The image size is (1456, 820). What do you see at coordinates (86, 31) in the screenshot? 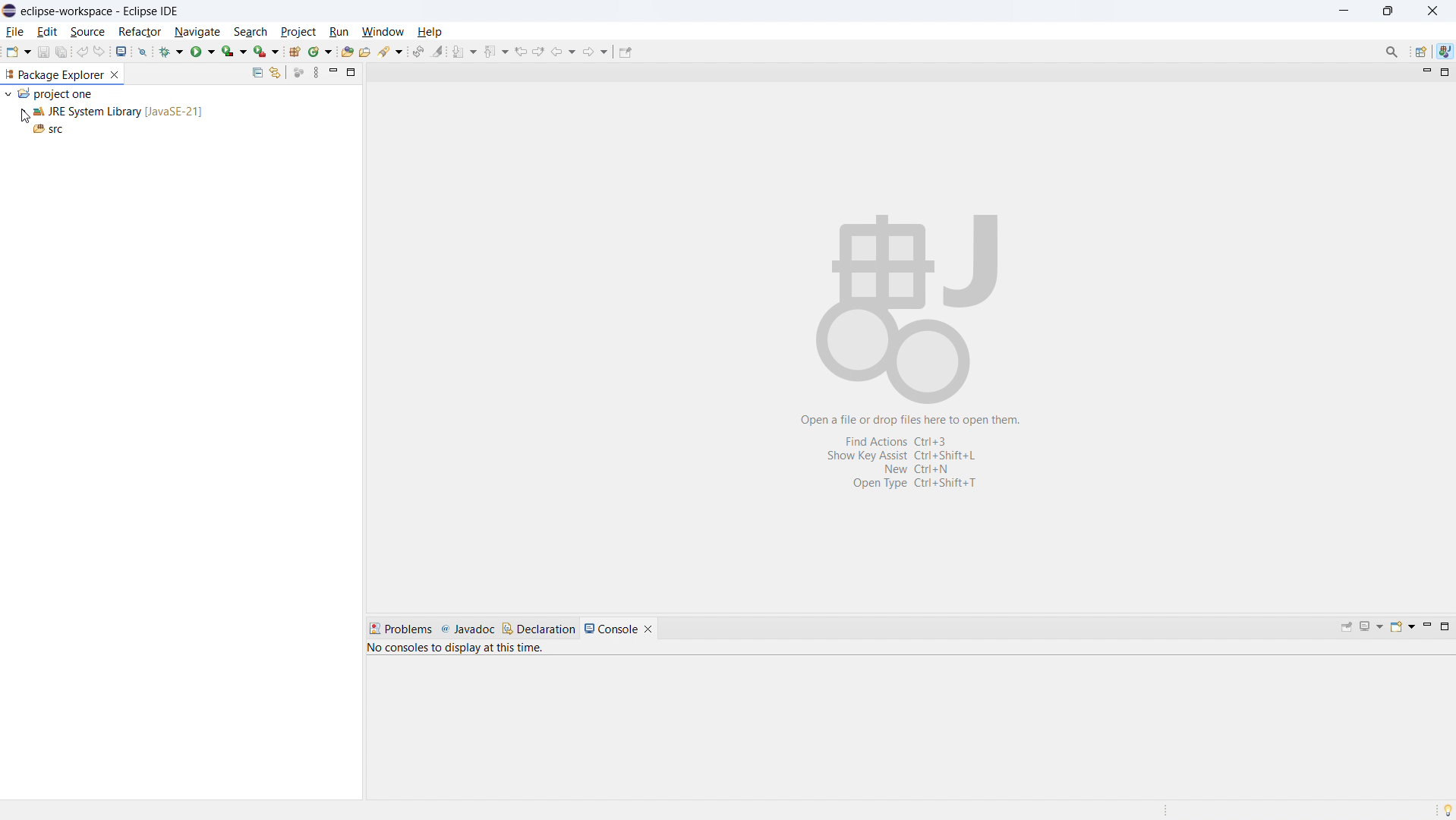
I see `Source` at bounding box center [86, 31].